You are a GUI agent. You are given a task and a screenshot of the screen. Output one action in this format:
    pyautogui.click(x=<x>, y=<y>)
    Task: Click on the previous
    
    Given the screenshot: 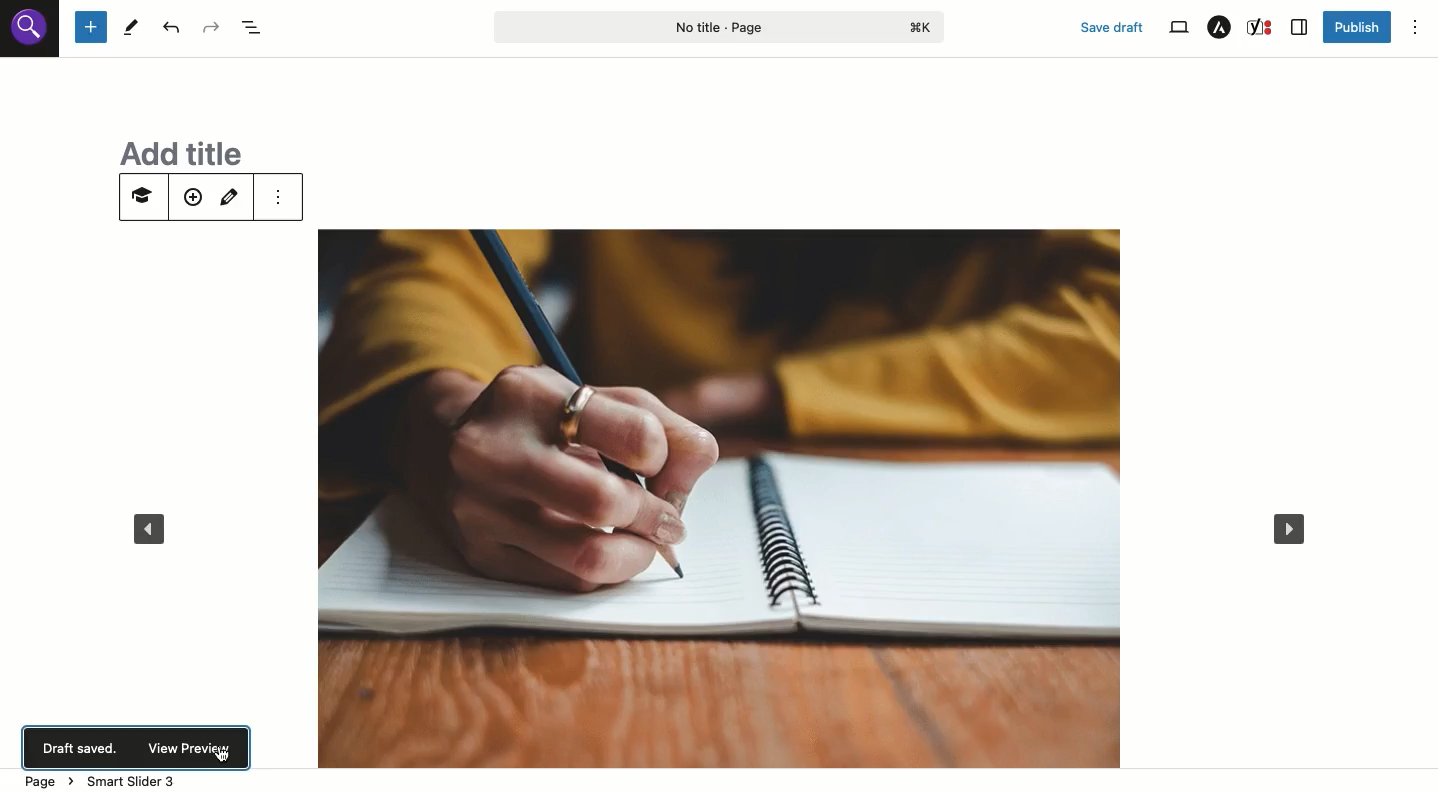 What is the action you would take?
    pyautogui.click(x=148, y=531)
    